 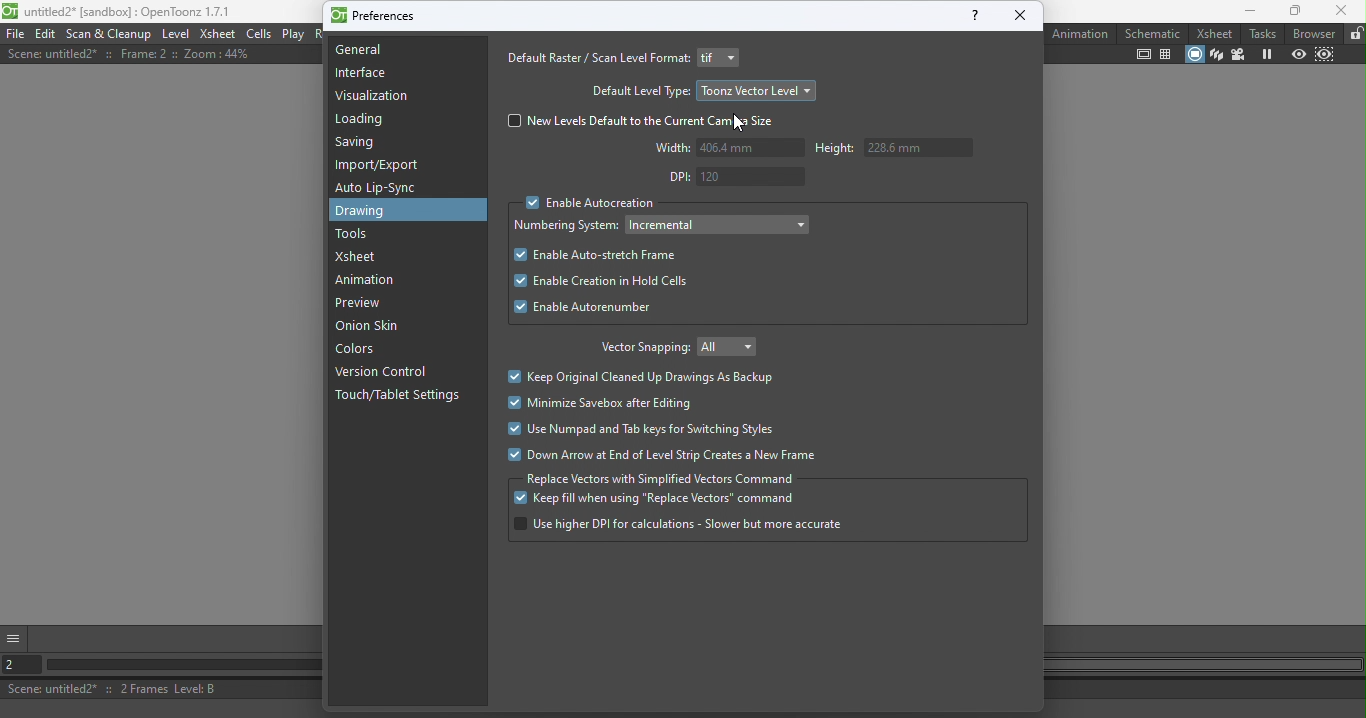 I want to click on Scene: untitled2* :: Frame: 2 i: Zoom: 44%, so click(x=129, y=54).